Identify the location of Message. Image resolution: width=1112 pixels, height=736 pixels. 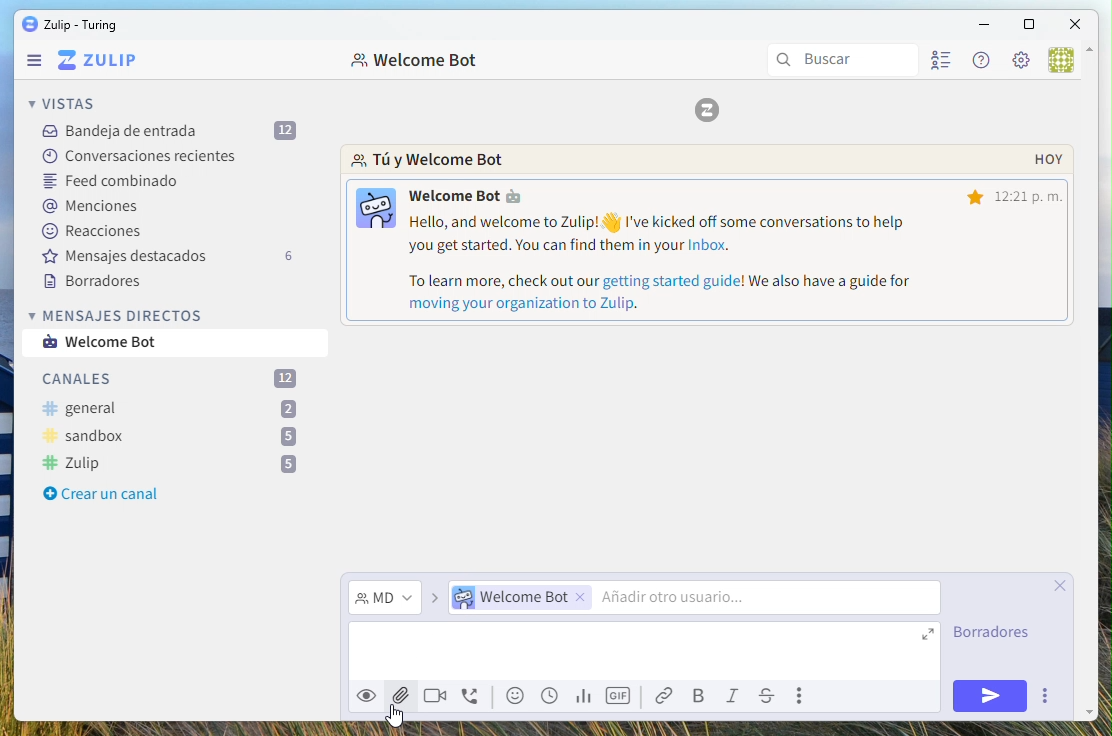
(116, 343).